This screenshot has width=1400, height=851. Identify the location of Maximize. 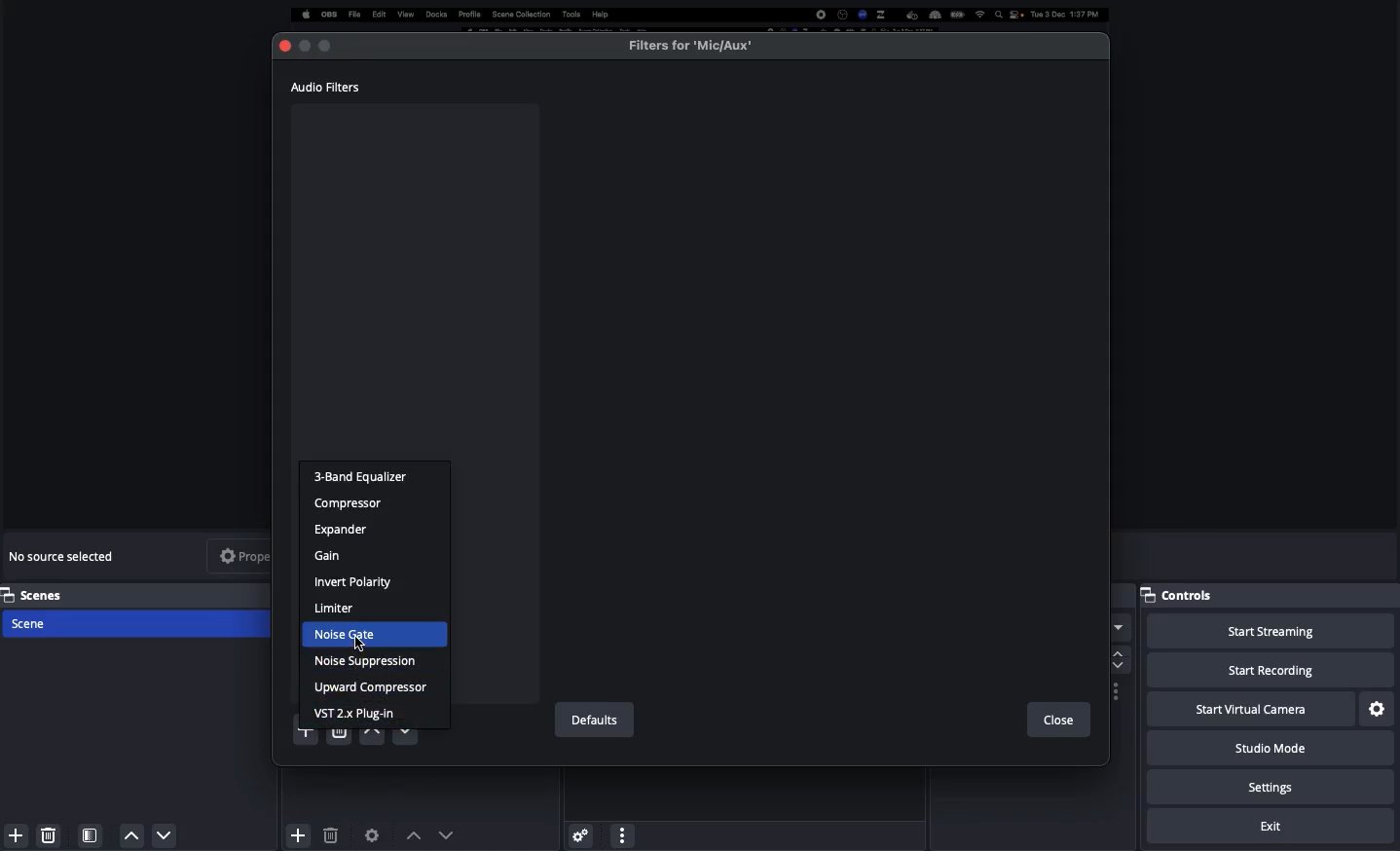
(345, 45).